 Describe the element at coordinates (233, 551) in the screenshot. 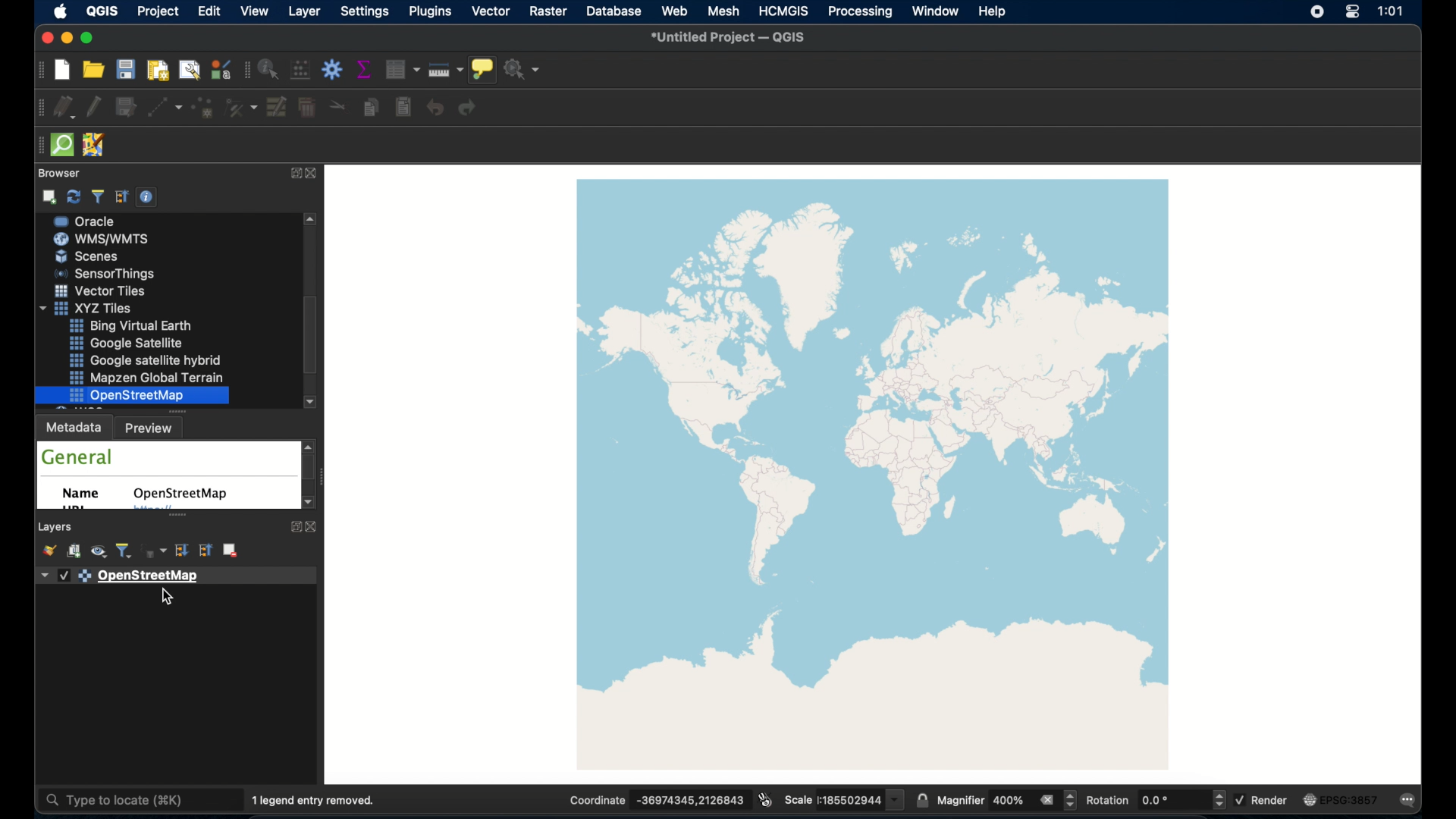

I see `remove layer group` at that location.